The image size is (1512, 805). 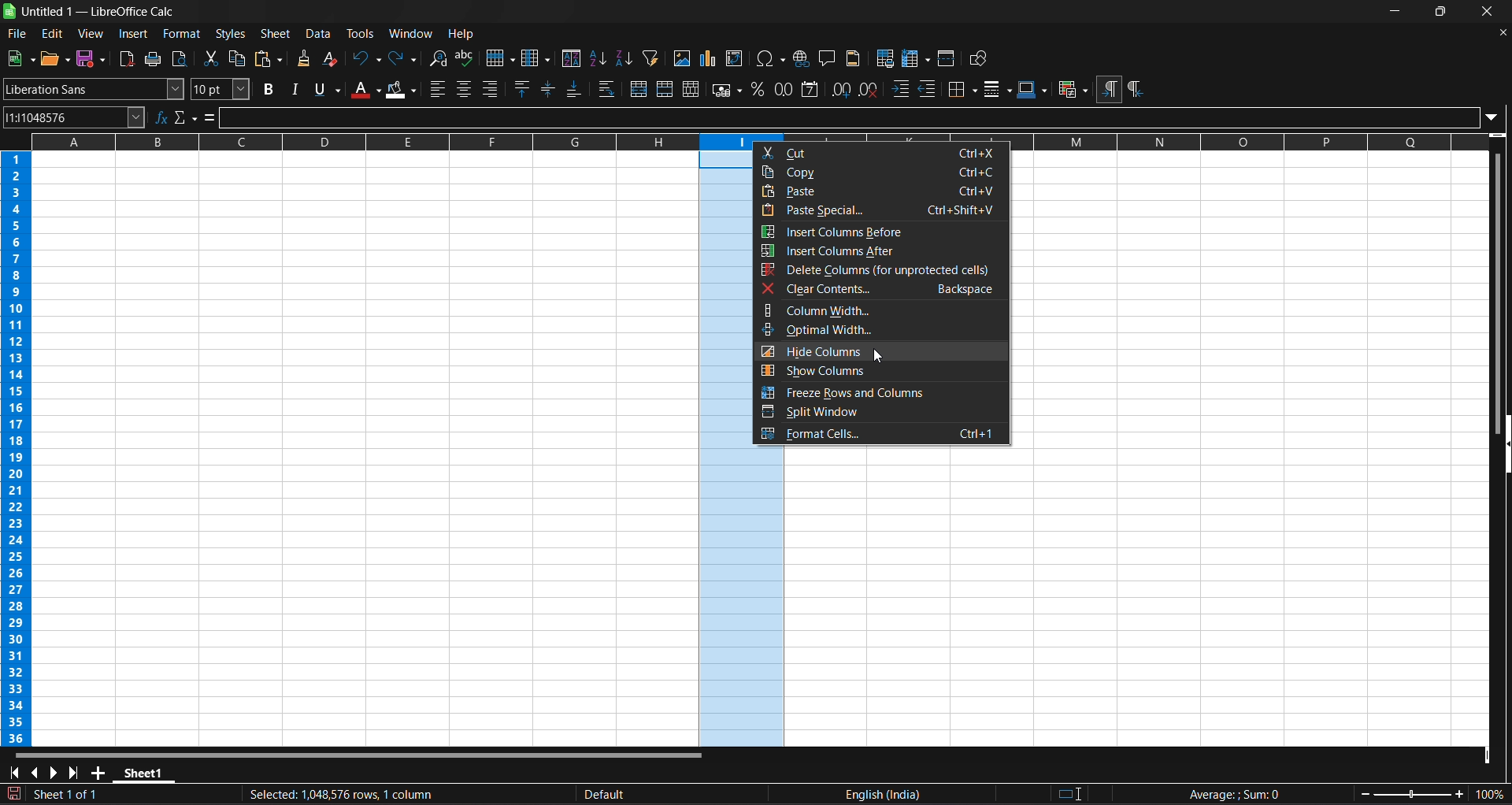 I want to click on sheet, so click(x=275, y=33).